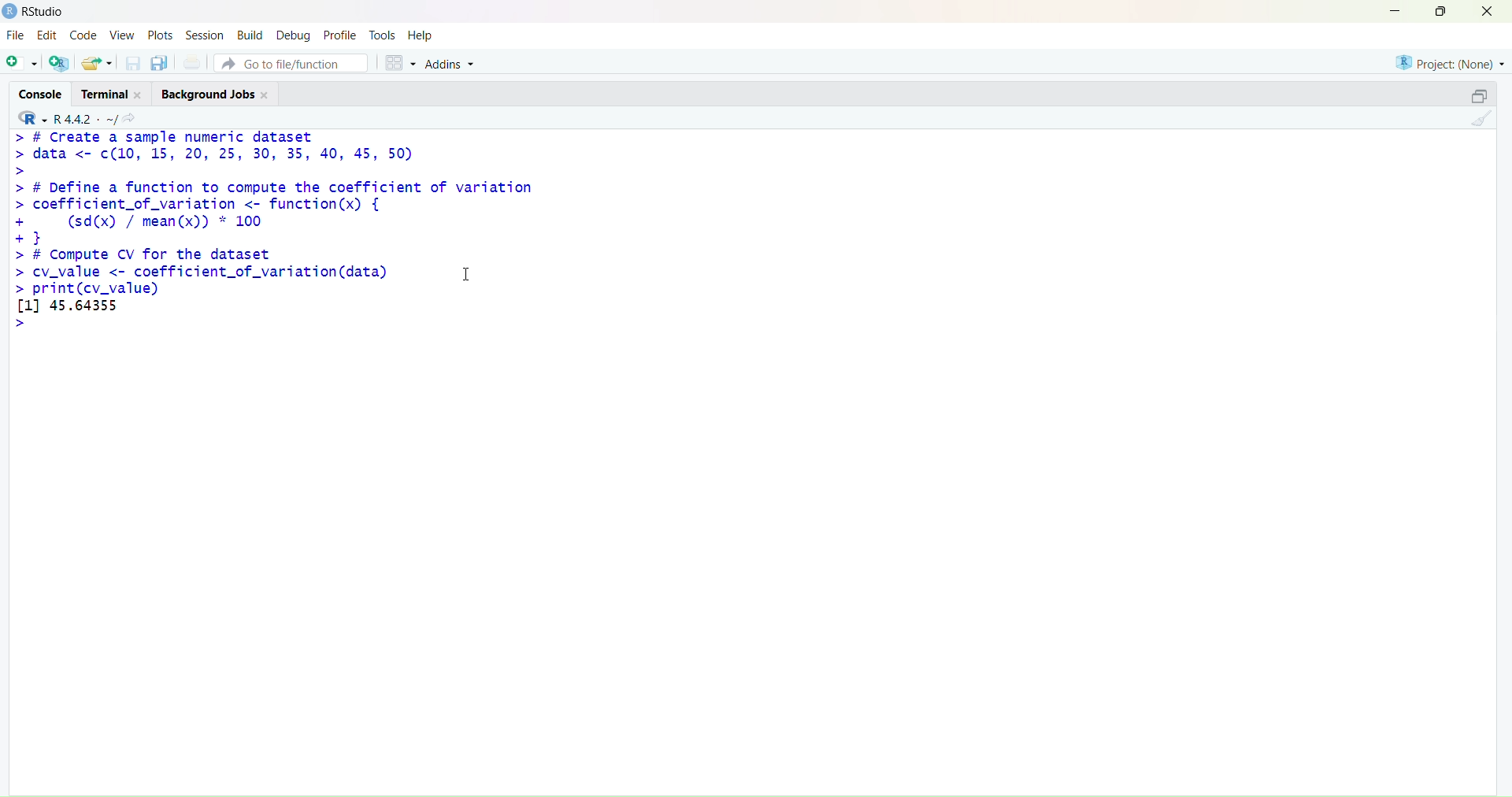 Image resolution: width=1512 pixels, height=797 pixels. What do you see at coordinates (1487, 11) in the screenshot?
I see `close` at bounding box center [1487, 11].